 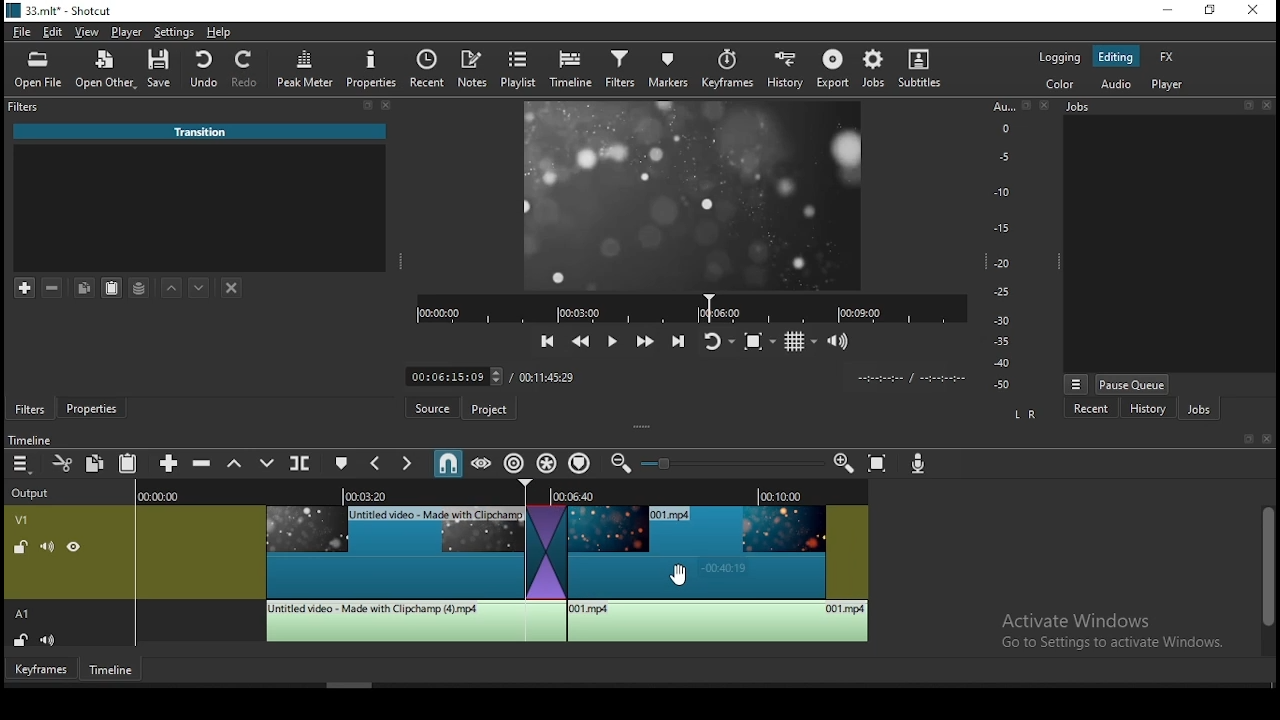 What do you see at coordinates (919, 462) in the screenshot?
I see `record audio` at bounding box center [919, 462].